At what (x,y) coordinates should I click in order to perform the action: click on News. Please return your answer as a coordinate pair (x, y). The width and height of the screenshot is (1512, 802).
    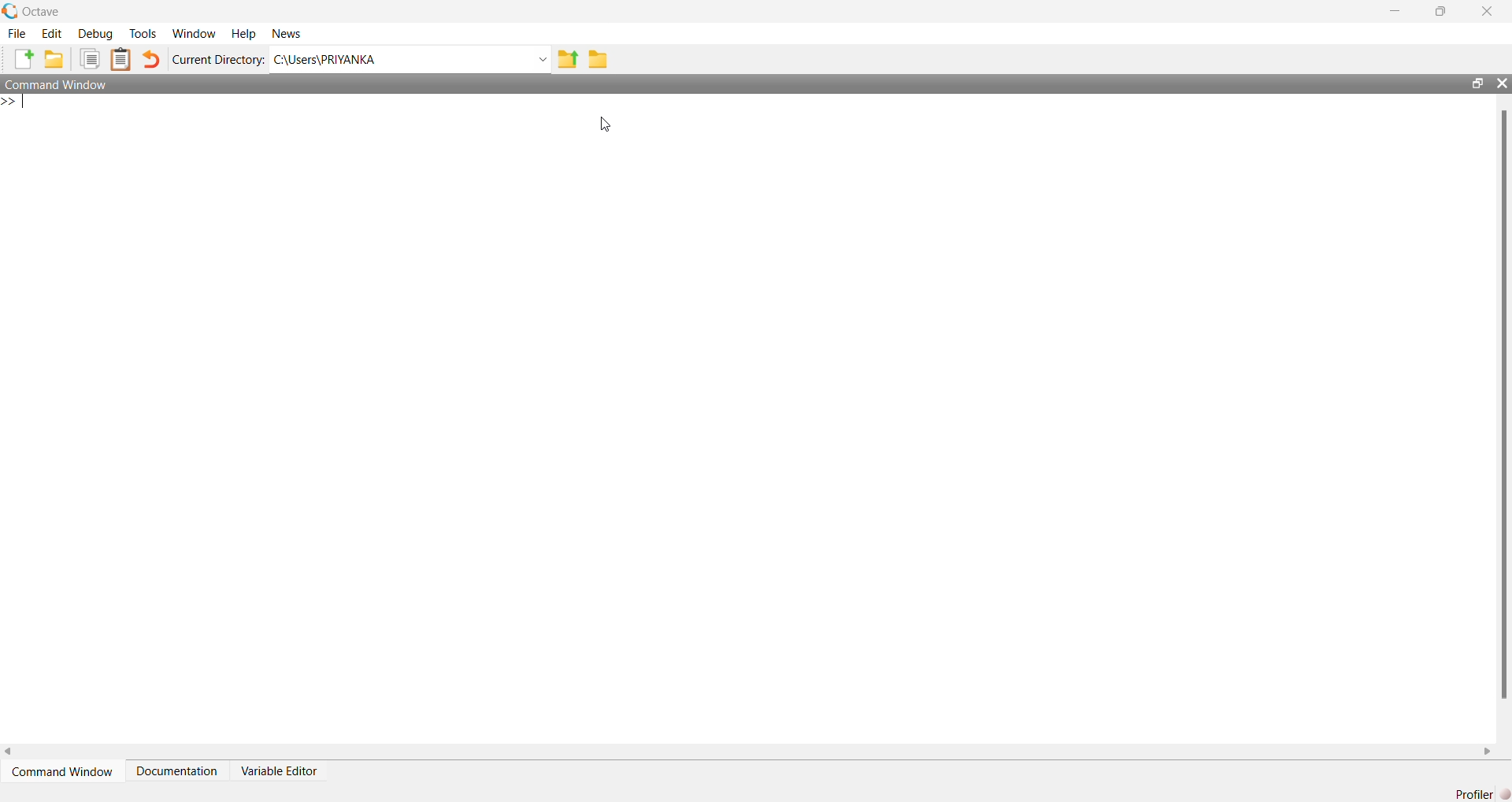
    Looking at the image, I should click on (287, 34).